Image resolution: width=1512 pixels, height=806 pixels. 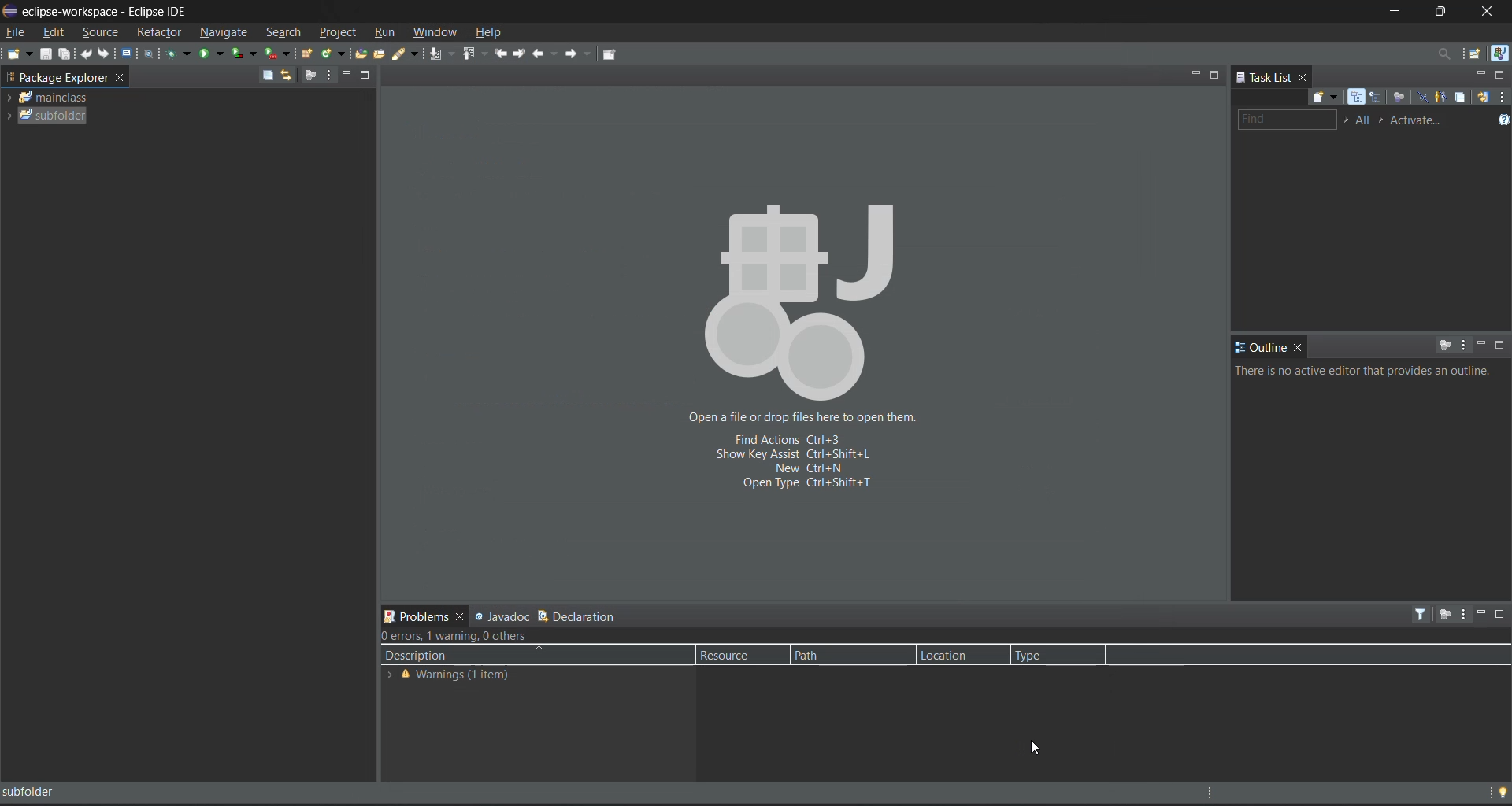 I want to click on close, so click(x=1489, y=12).